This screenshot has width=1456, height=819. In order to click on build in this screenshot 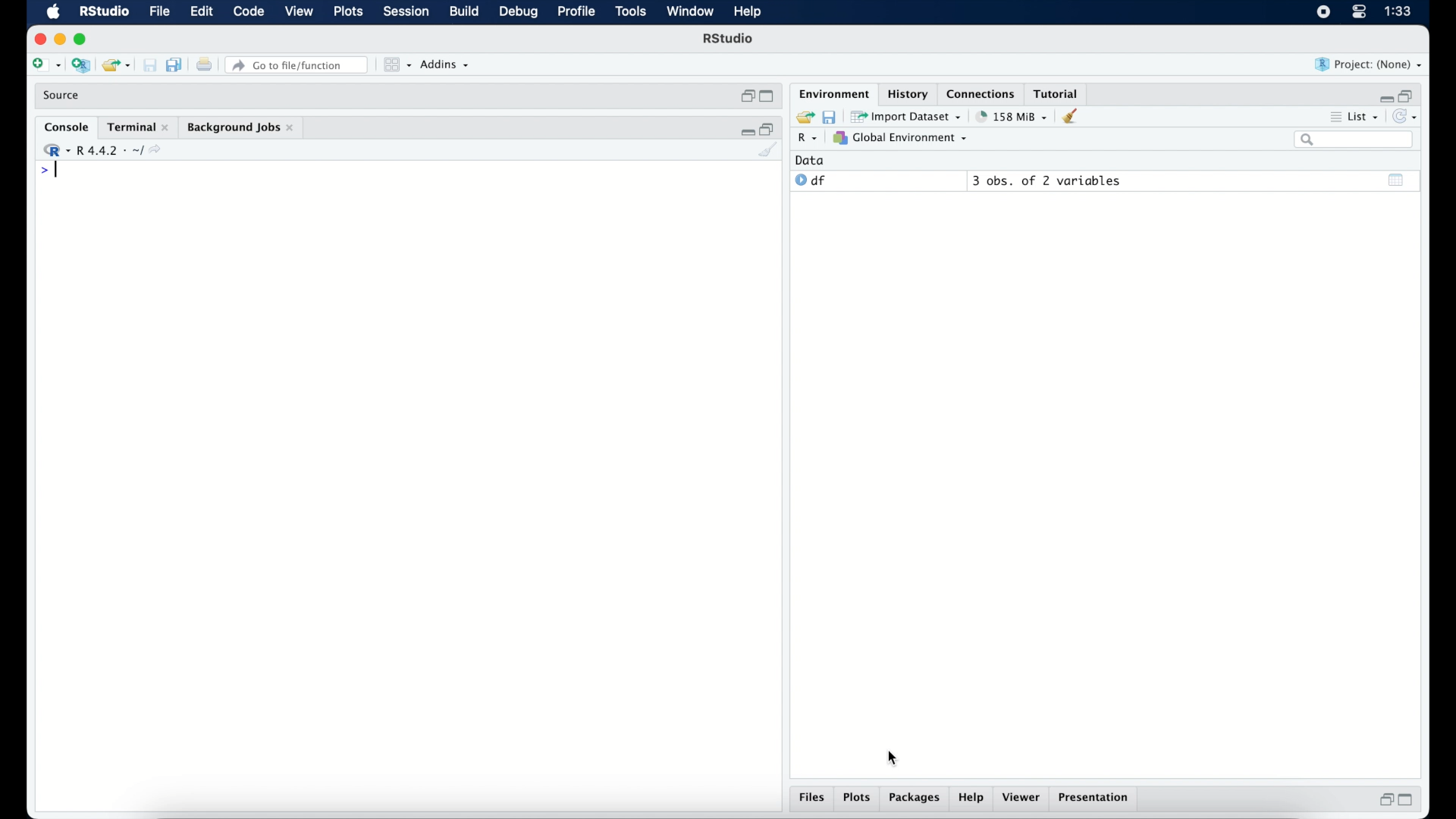, I will do `click(465, 12)`.